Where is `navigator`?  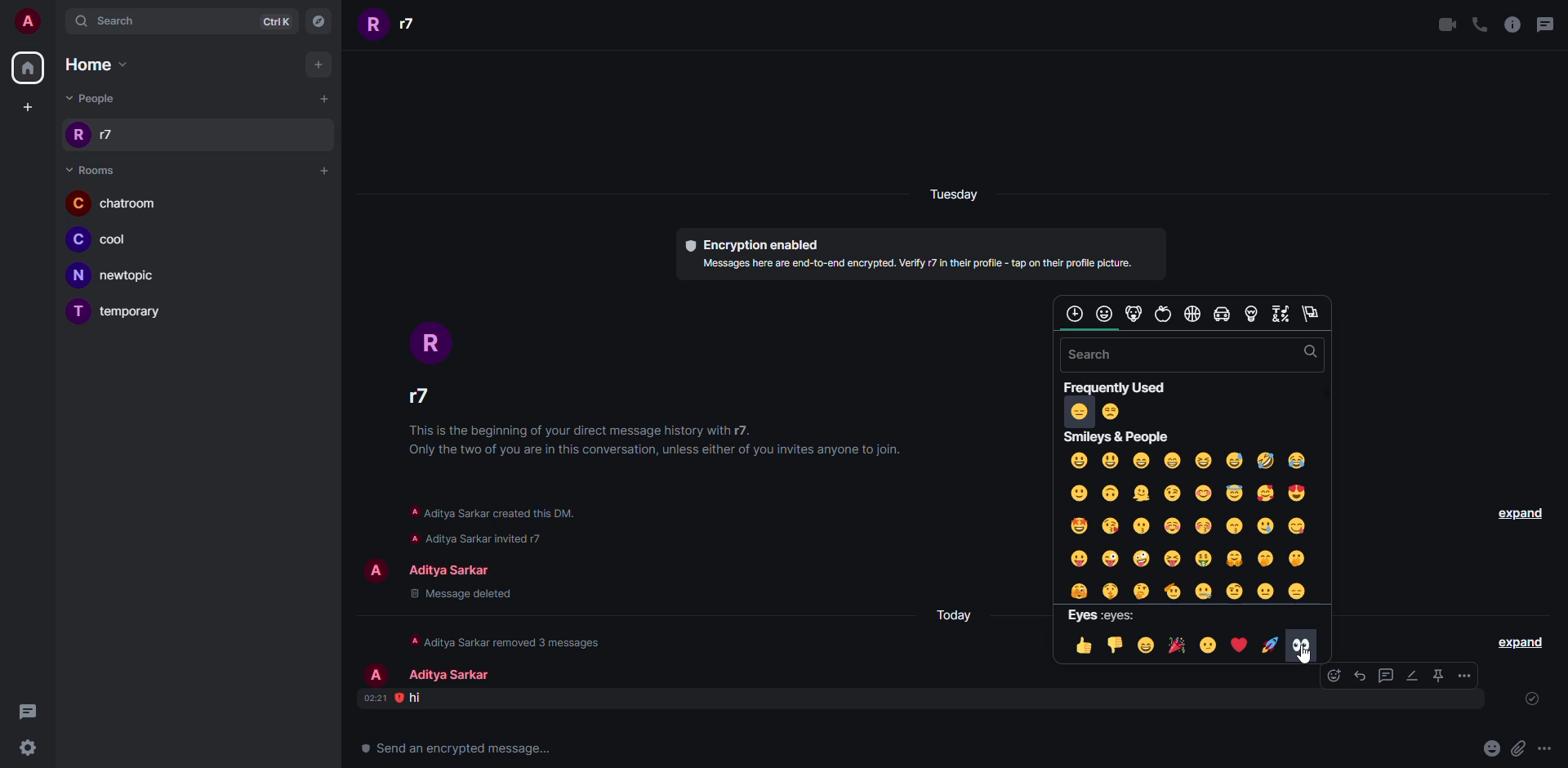 navigator is located at coordinates (323, 21).